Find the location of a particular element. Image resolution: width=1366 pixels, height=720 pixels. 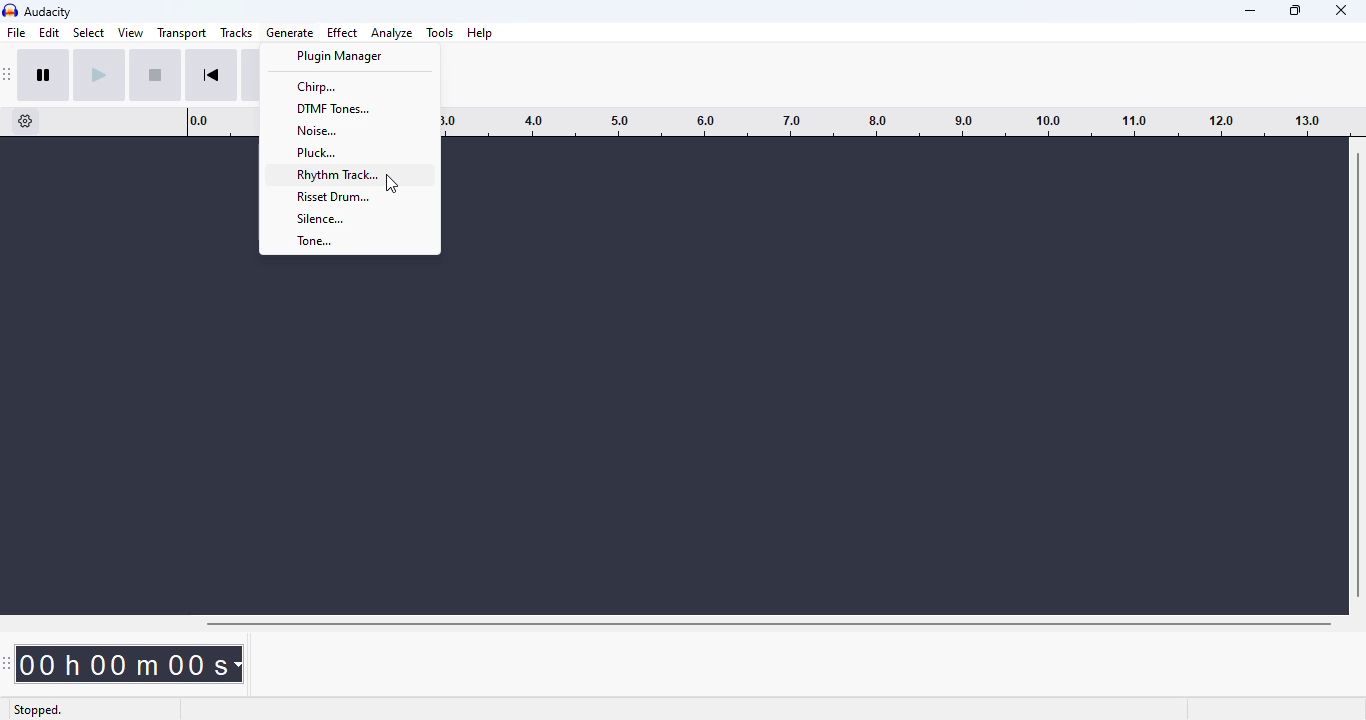

risset drum is located at coordinates (344, 196).